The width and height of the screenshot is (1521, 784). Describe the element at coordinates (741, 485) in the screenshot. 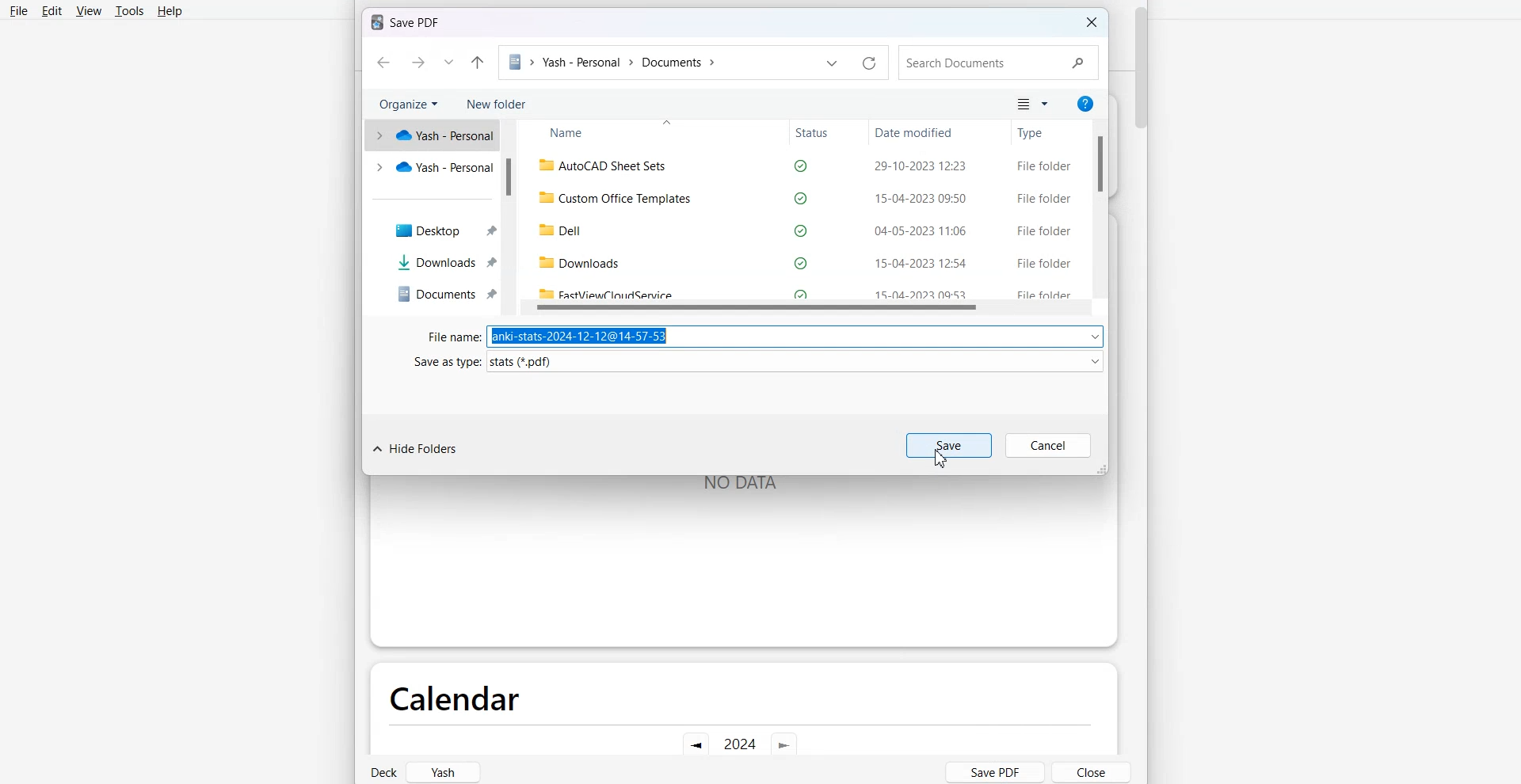

I see `NO DATA` at that location.